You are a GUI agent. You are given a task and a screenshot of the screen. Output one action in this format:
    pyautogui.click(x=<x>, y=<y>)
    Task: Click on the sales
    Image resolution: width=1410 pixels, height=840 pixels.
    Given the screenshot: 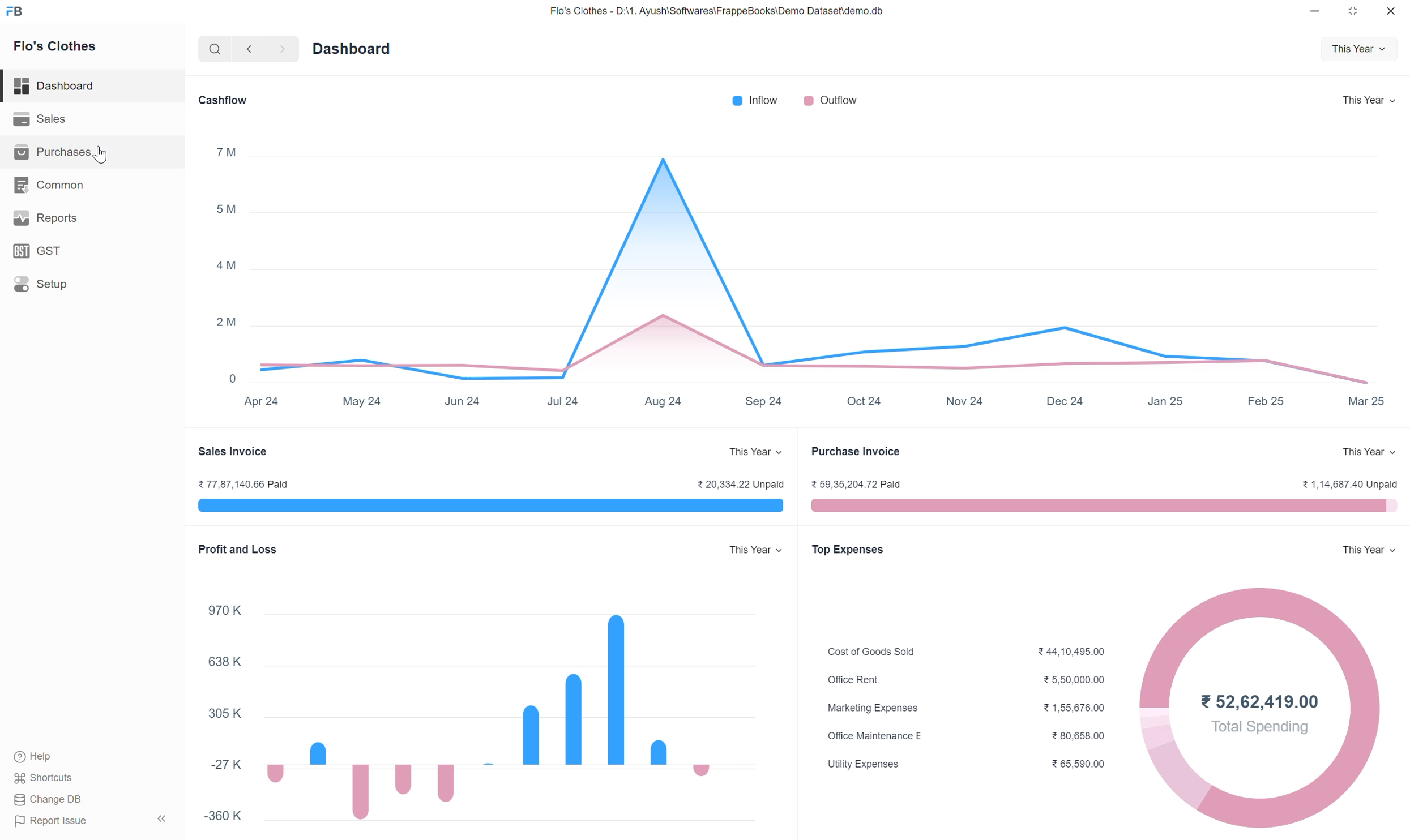 What is the action you would take?
    pyautogui.click(x=39, y=118)
    